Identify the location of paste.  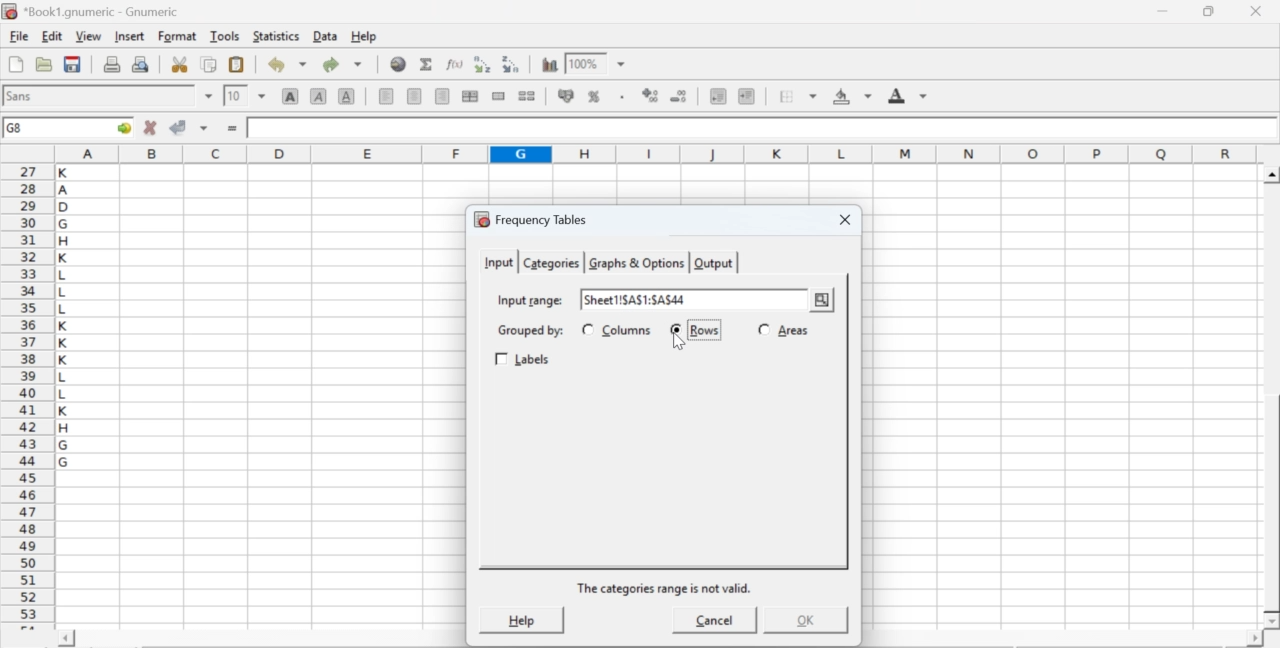
(238, 65).